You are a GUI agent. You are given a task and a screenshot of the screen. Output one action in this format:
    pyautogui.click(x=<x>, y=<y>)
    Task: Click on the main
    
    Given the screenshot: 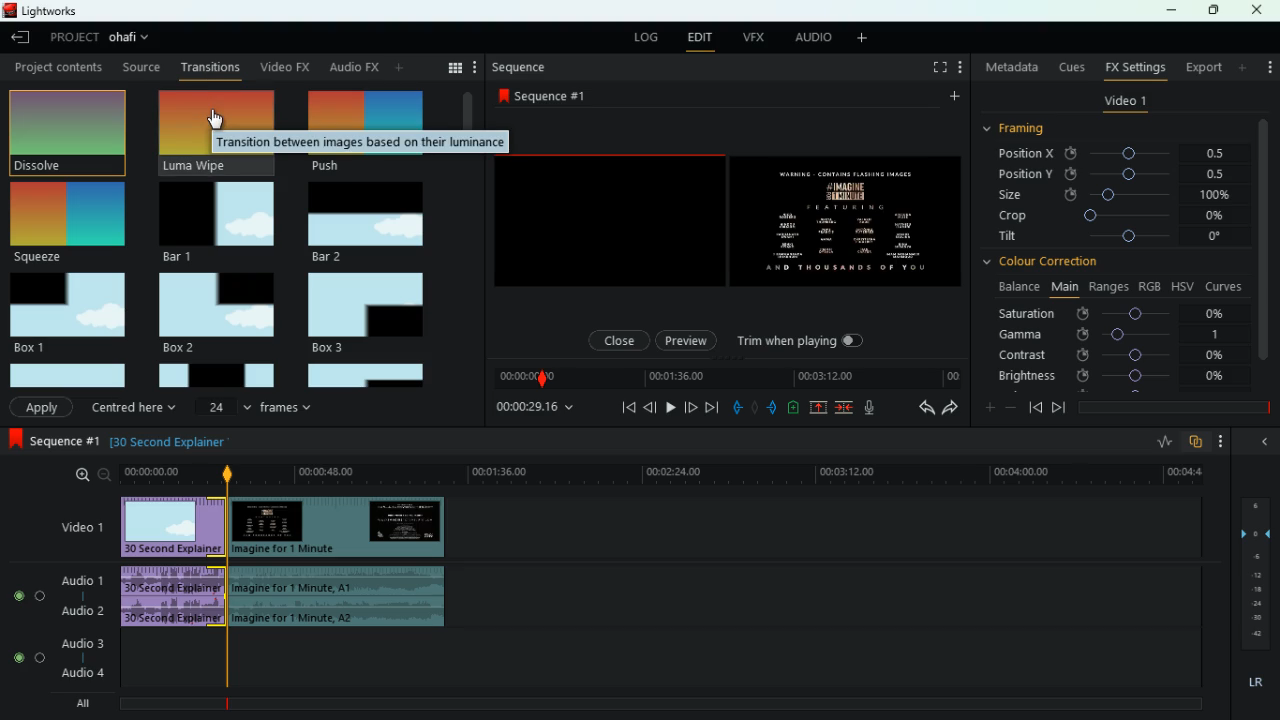 What is the action you would take?
    pyautogui.click(x=1064, y=285)
    